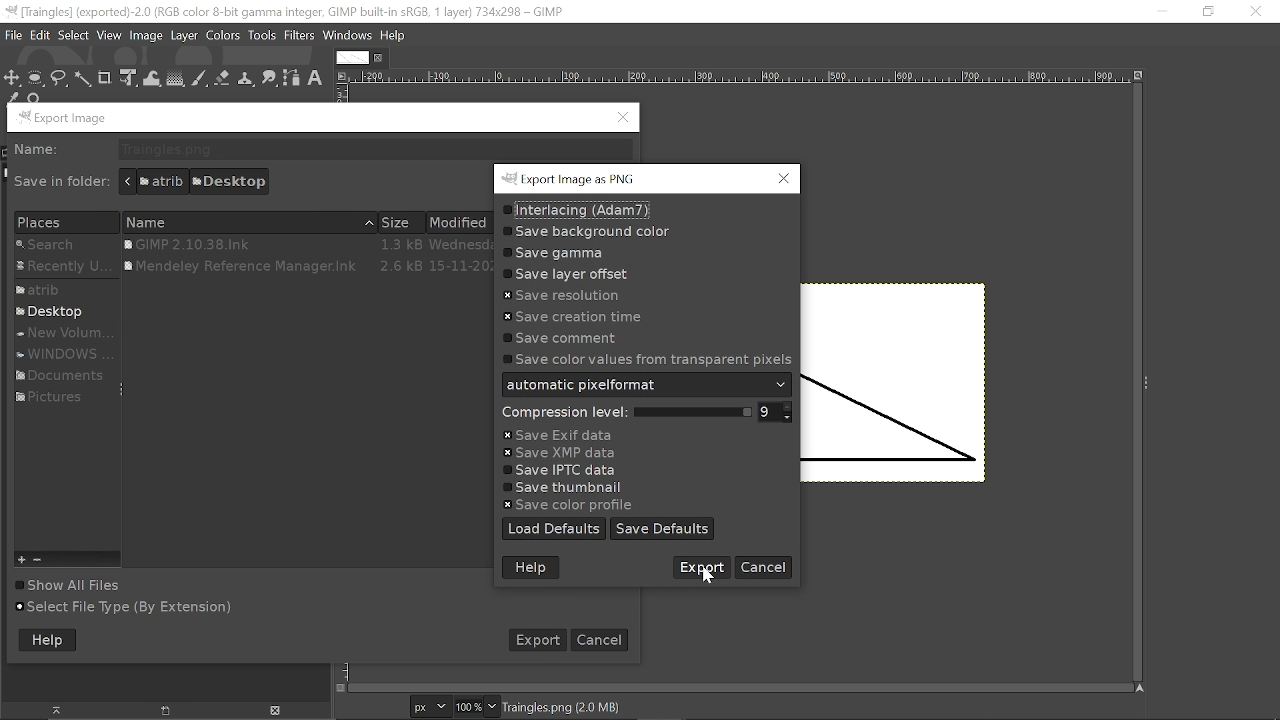 The width and height of the screenshot is (1280, 720). What do you see at coordinates (90, 585) in the screenshot?
I see `Show All Files` at bounding box center [90, 585].